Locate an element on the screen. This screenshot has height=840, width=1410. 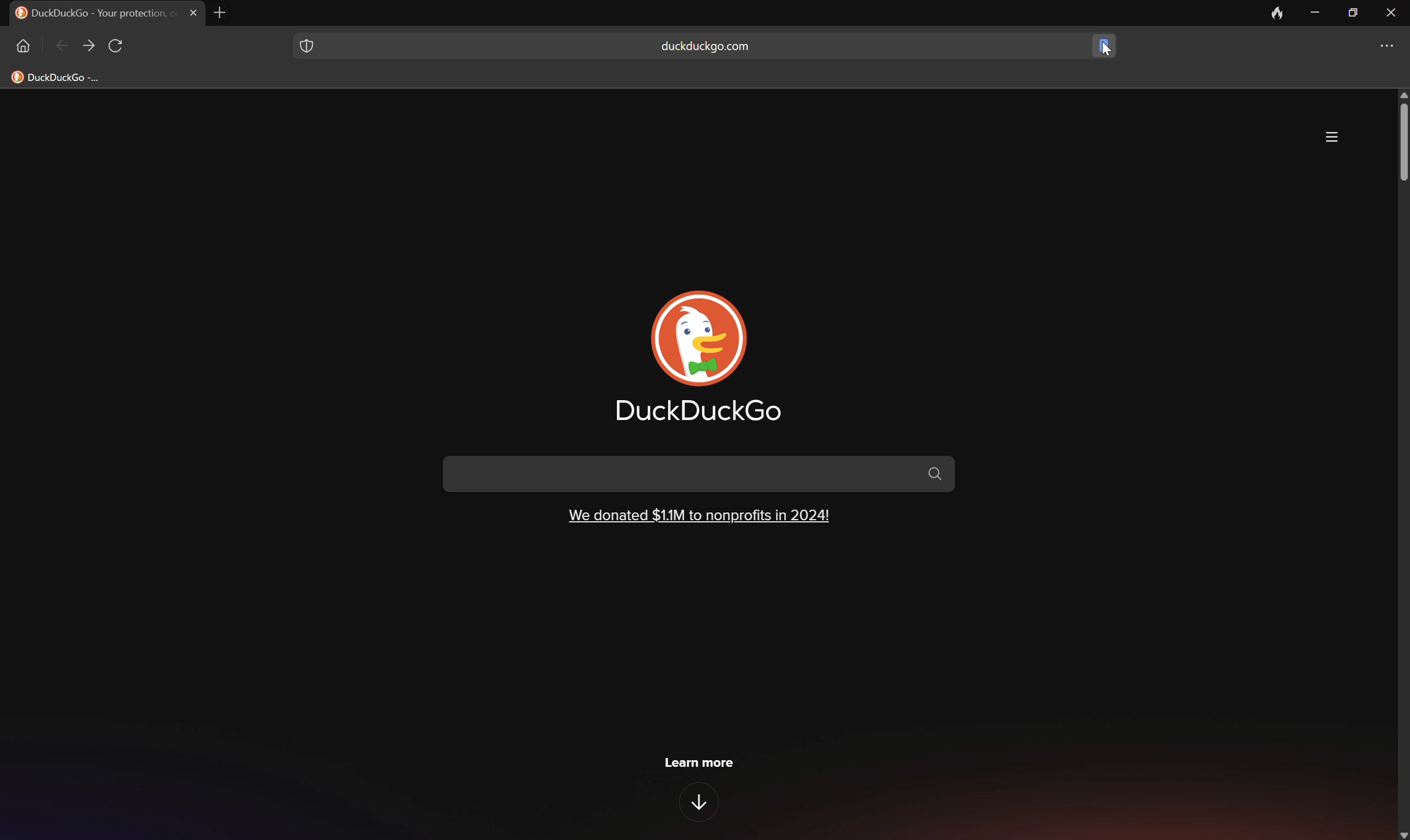
Cursor is located at coordinates (1106, 49).